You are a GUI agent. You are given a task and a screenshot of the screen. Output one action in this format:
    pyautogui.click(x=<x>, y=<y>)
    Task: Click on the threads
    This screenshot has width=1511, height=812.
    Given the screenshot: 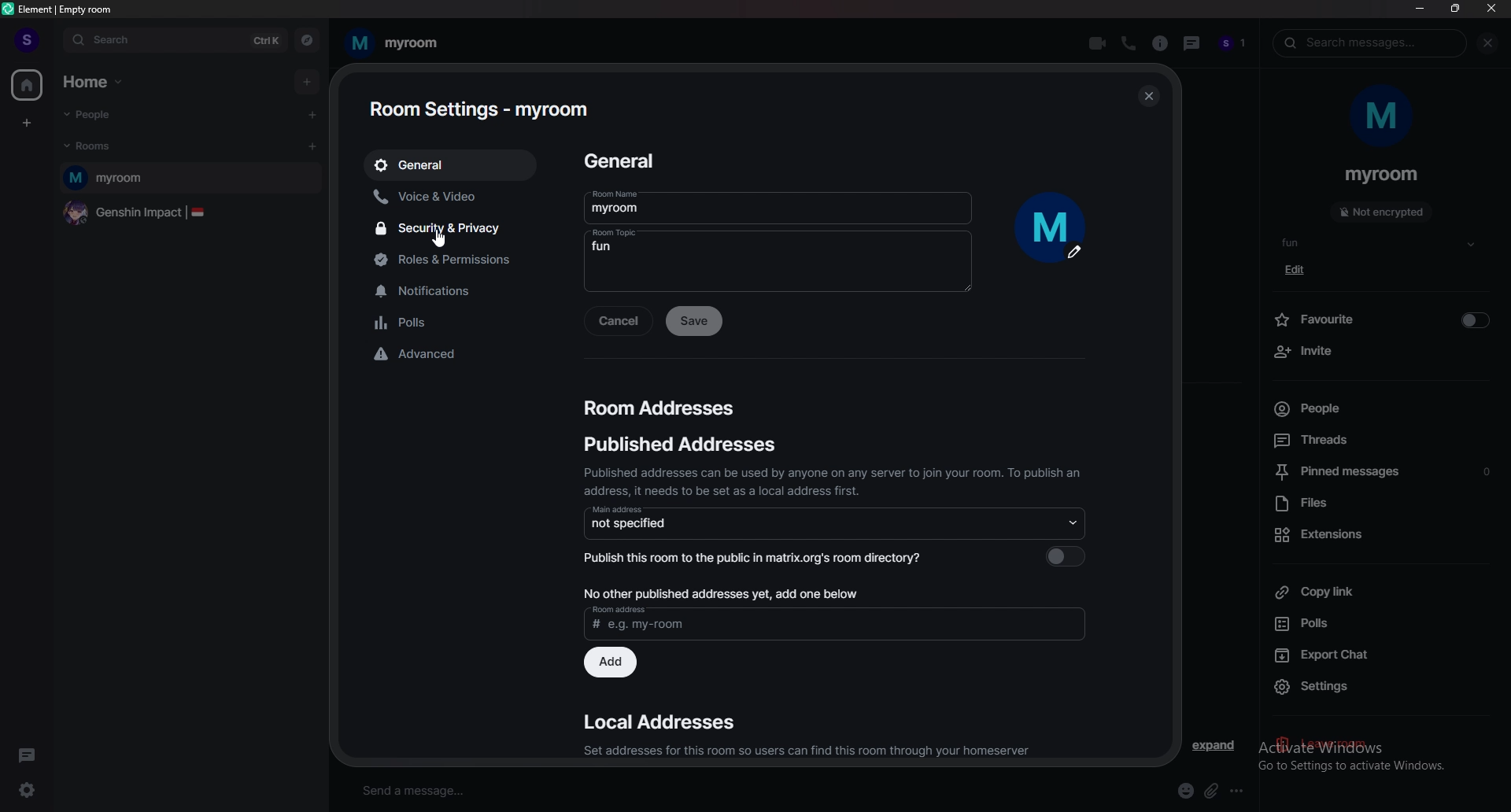 What is the action you would take?
    pyautogui.click(x=1192, y=43)
    